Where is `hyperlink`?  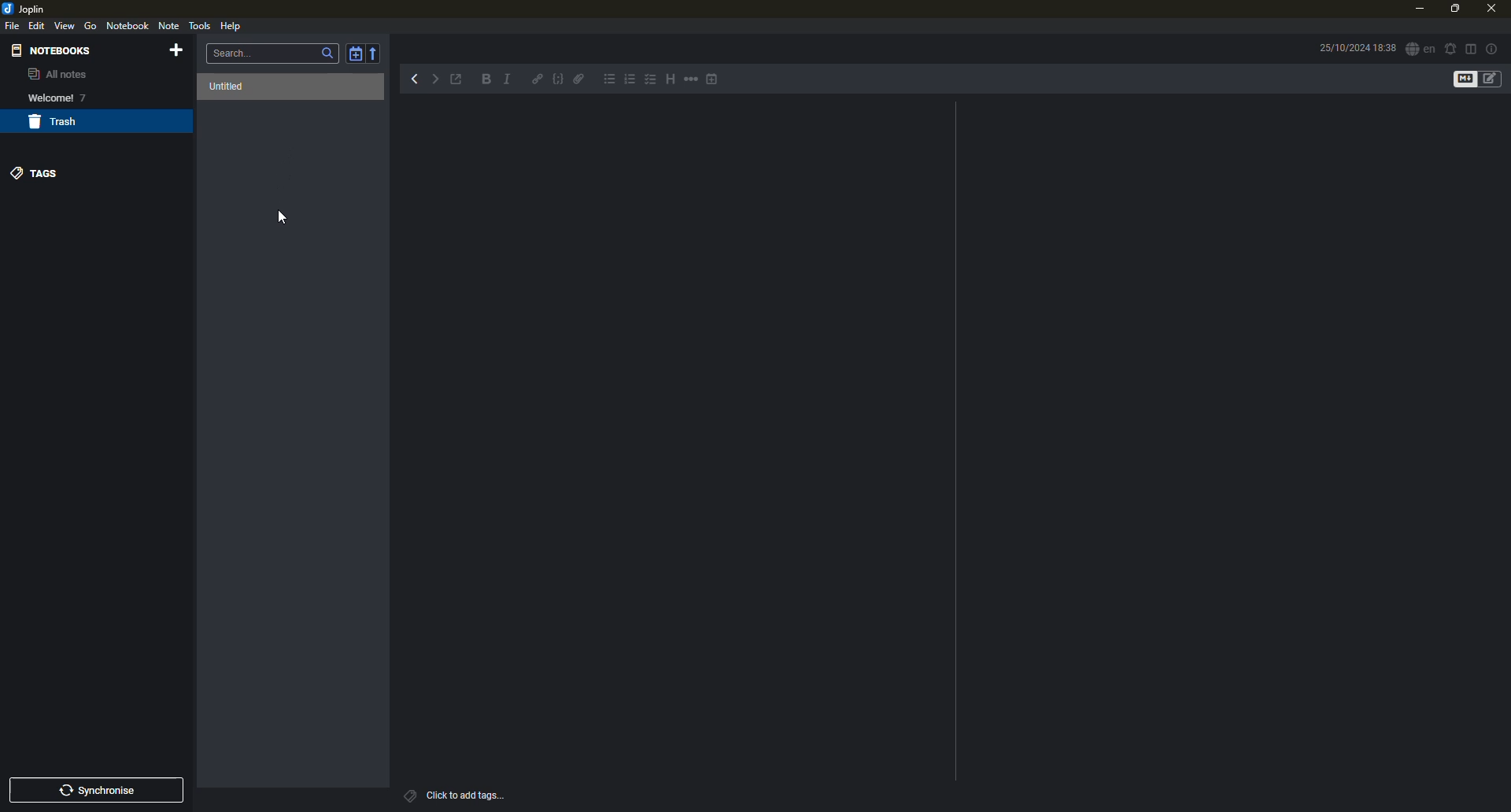 hyperlink is located at coordinates (538, 80).